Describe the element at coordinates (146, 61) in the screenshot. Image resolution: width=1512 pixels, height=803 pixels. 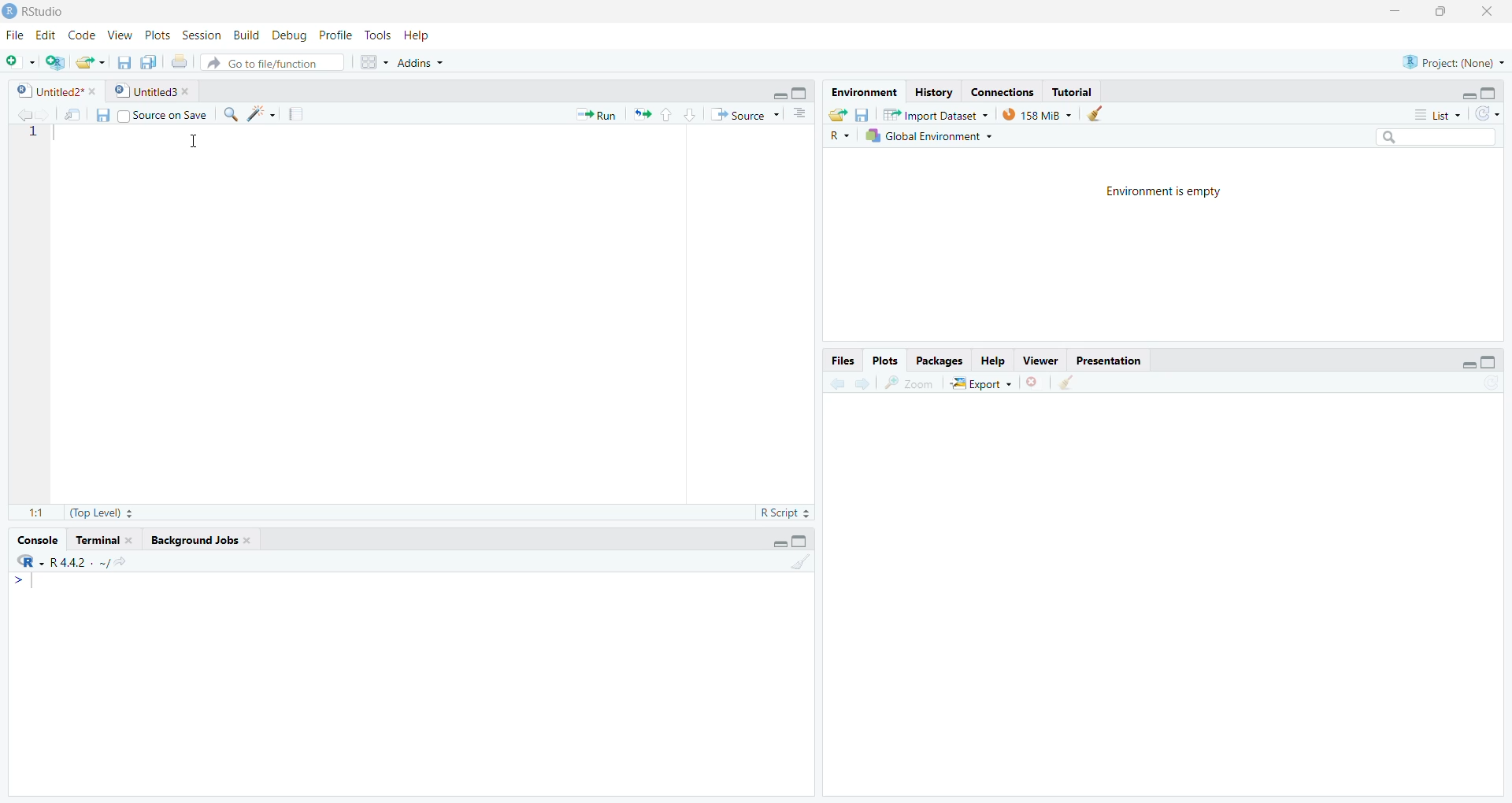
I see `save all documents` at that location.